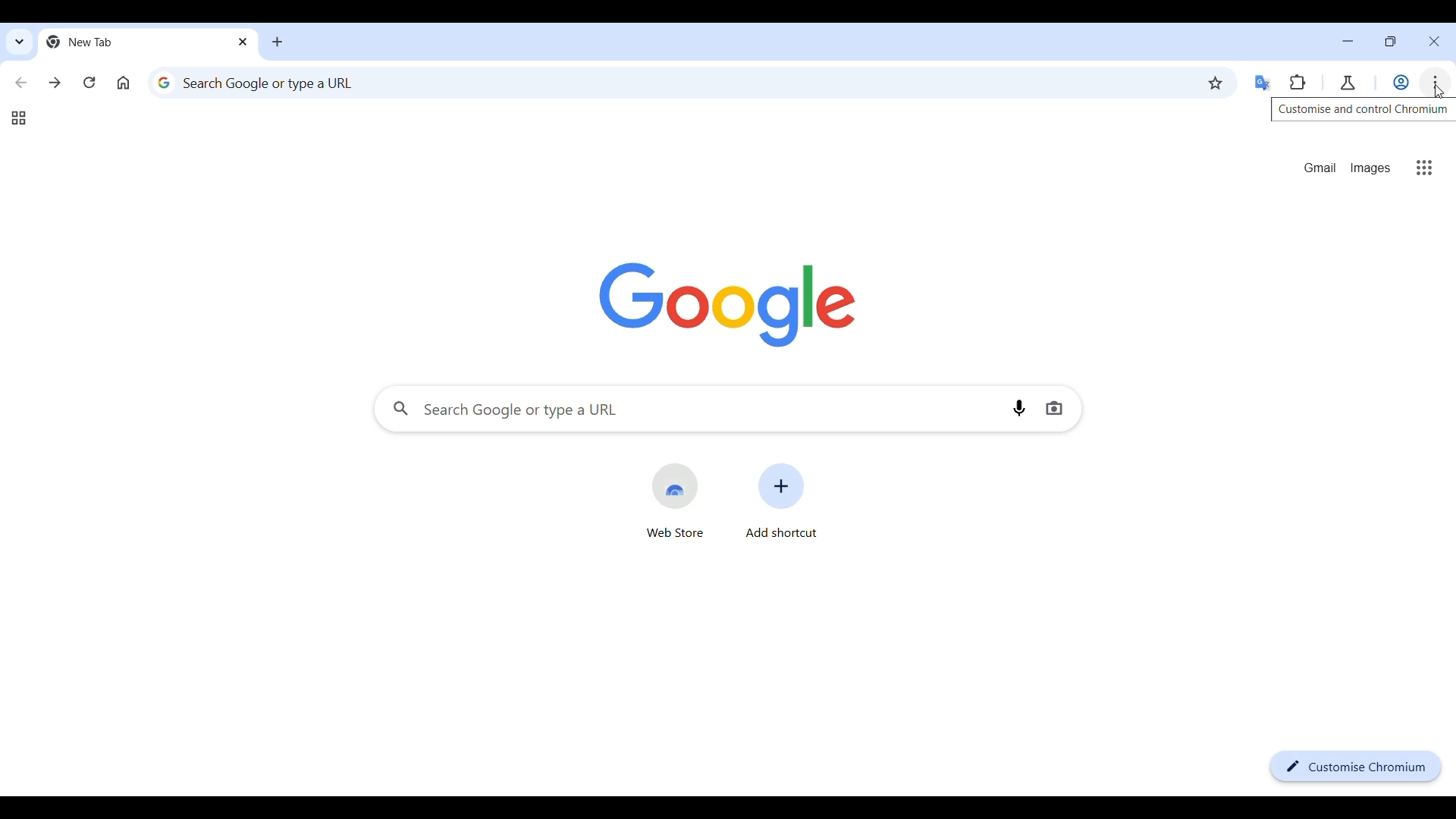  What do you see at coordinates (688, 409) in the screenshot?
I see `Search Google or type a url` at bounding box center [688, 409].